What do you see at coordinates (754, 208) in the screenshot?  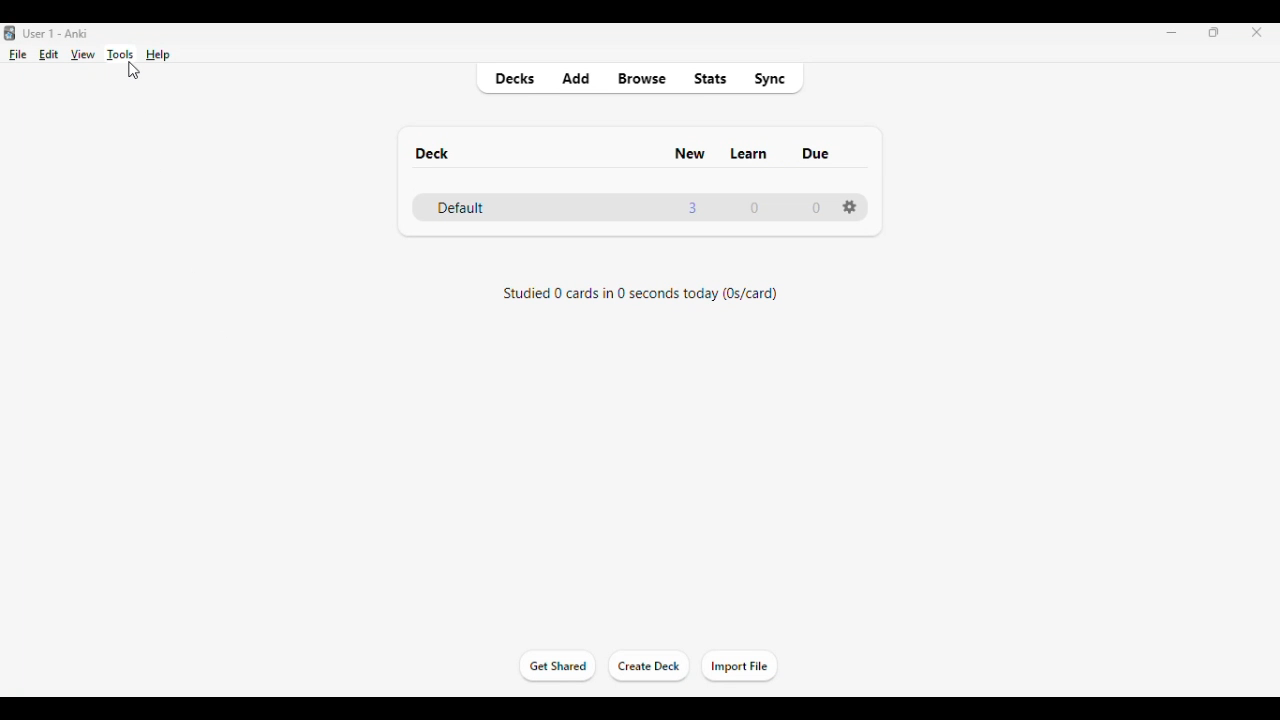 I see `0` at bounding box center [754, 208].